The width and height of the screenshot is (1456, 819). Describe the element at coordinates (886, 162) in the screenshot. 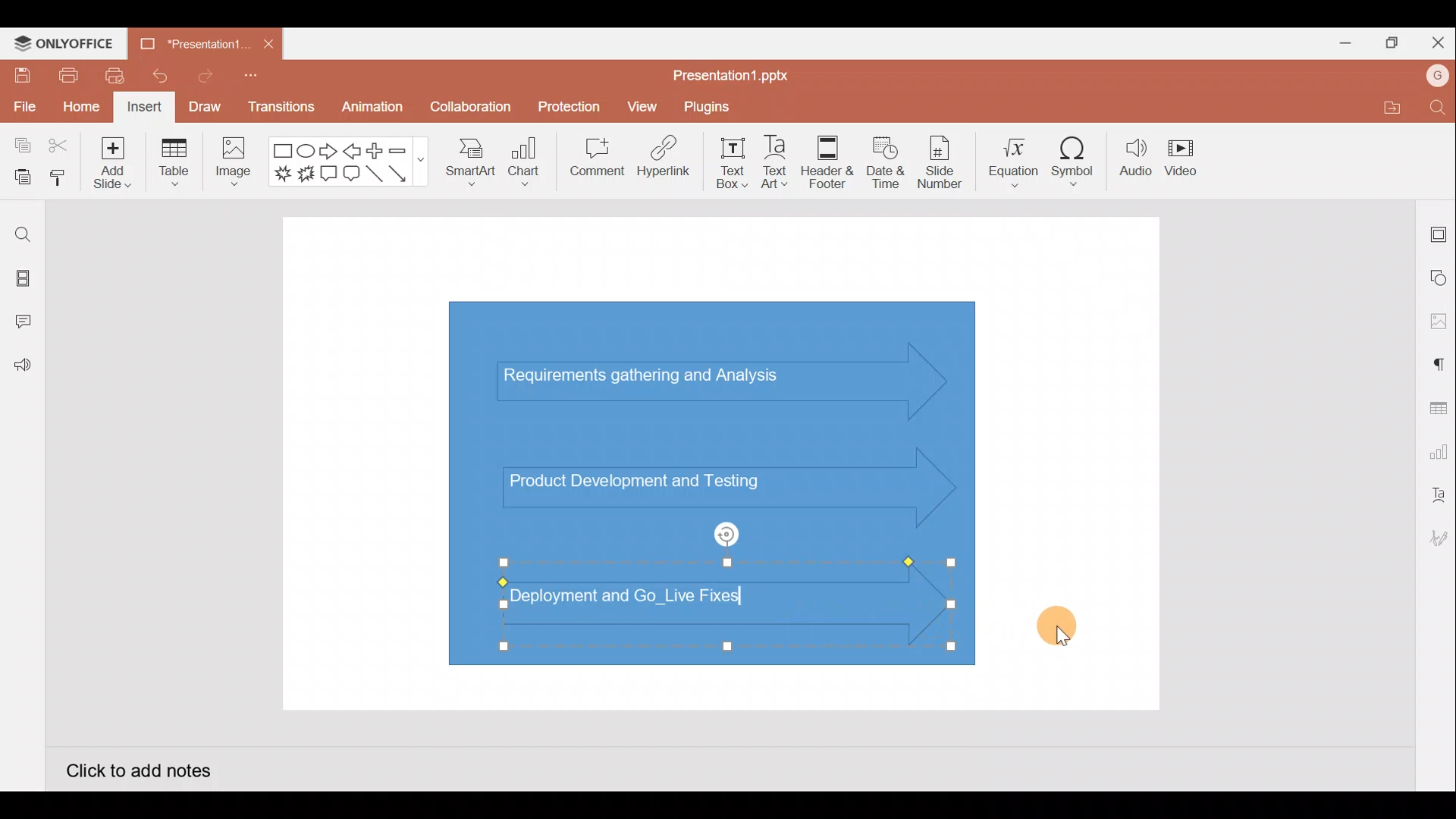

I see `Date & time` at that location.